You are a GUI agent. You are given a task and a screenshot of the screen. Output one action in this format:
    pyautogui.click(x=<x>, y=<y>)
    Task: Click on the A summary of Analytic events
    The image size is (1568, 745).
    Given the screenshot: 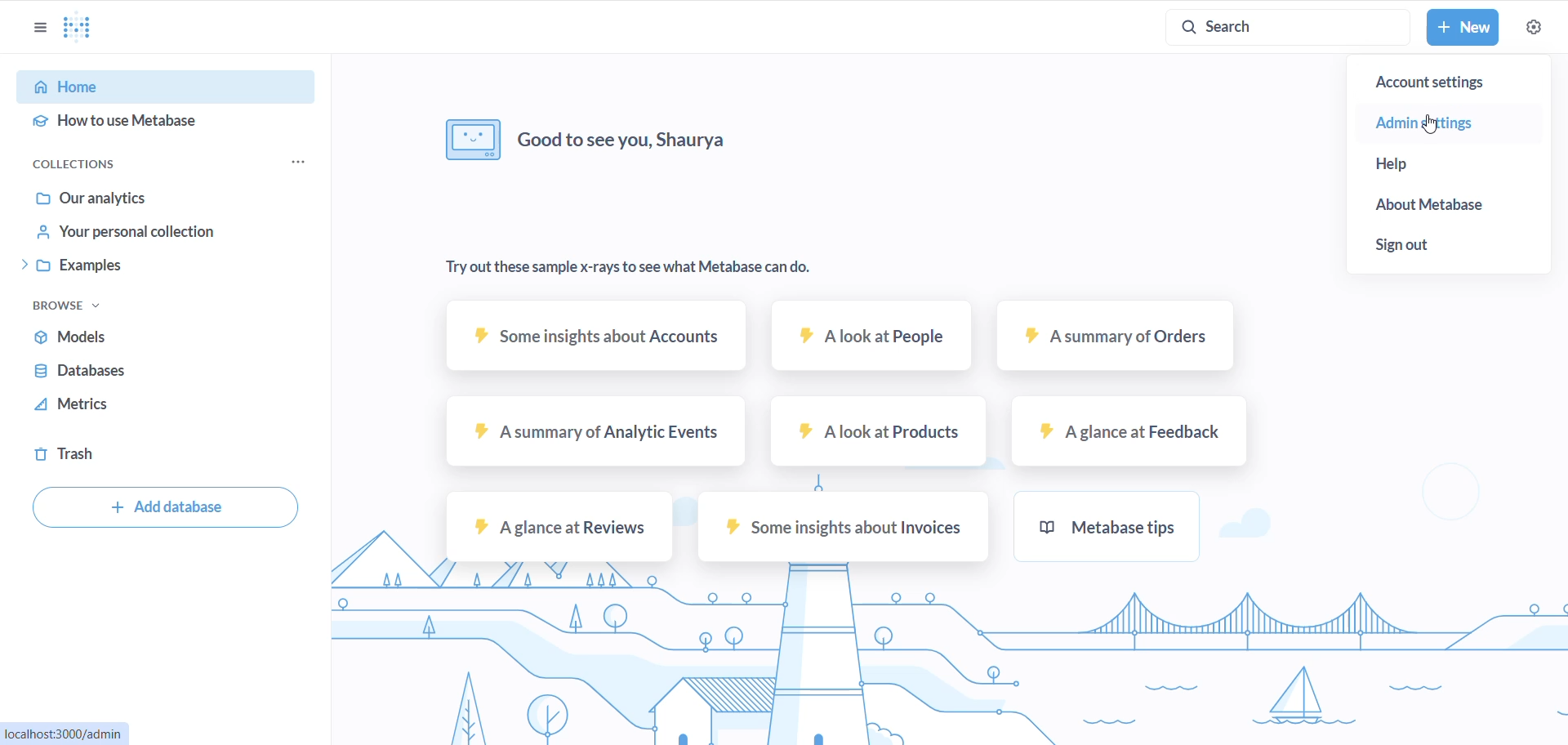 What is the action you would take?
    pyautogui.click(x=594, y=435)
    